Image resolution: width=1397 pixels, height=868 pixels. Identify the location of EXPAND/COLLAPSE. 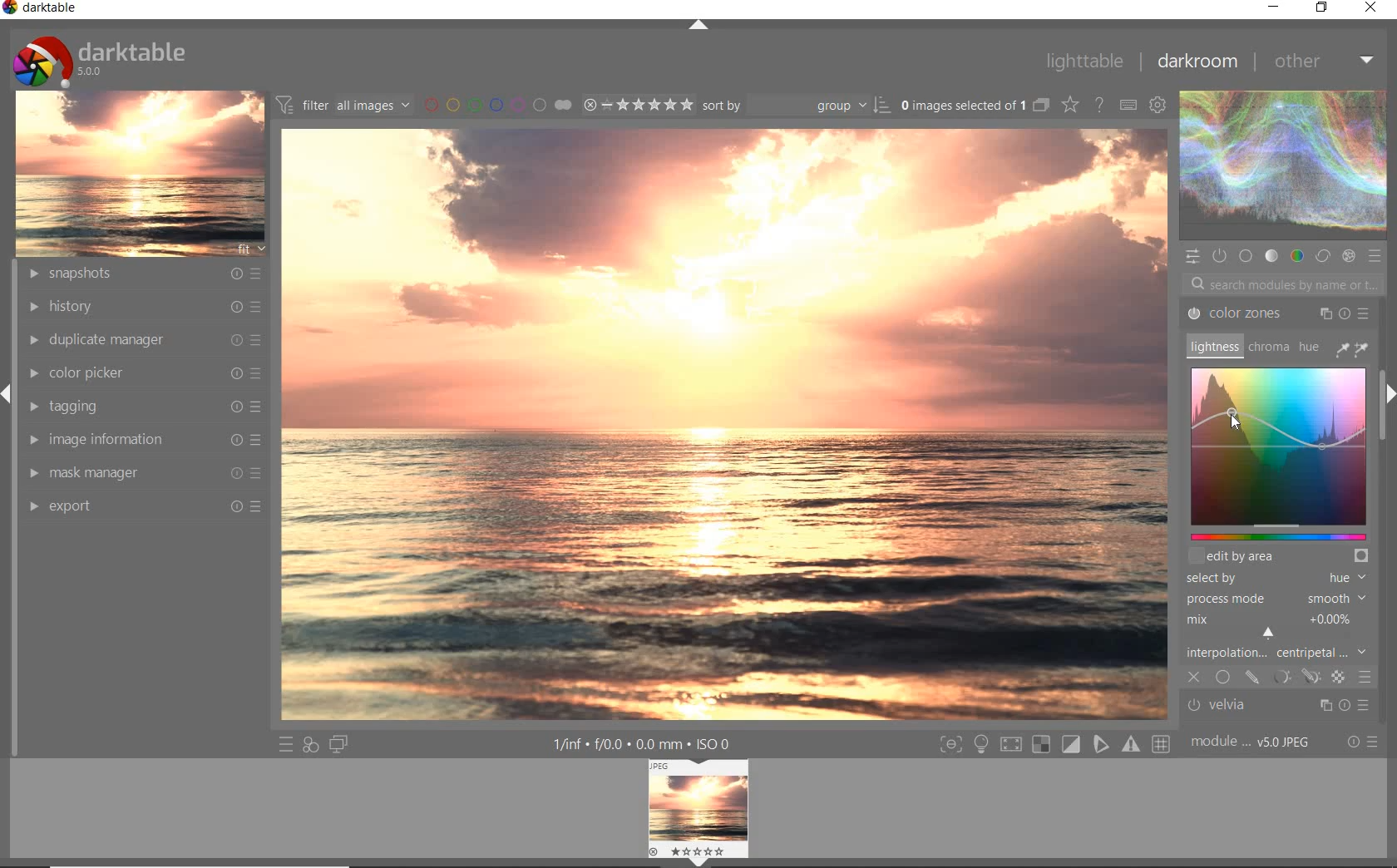
(1387, 396).